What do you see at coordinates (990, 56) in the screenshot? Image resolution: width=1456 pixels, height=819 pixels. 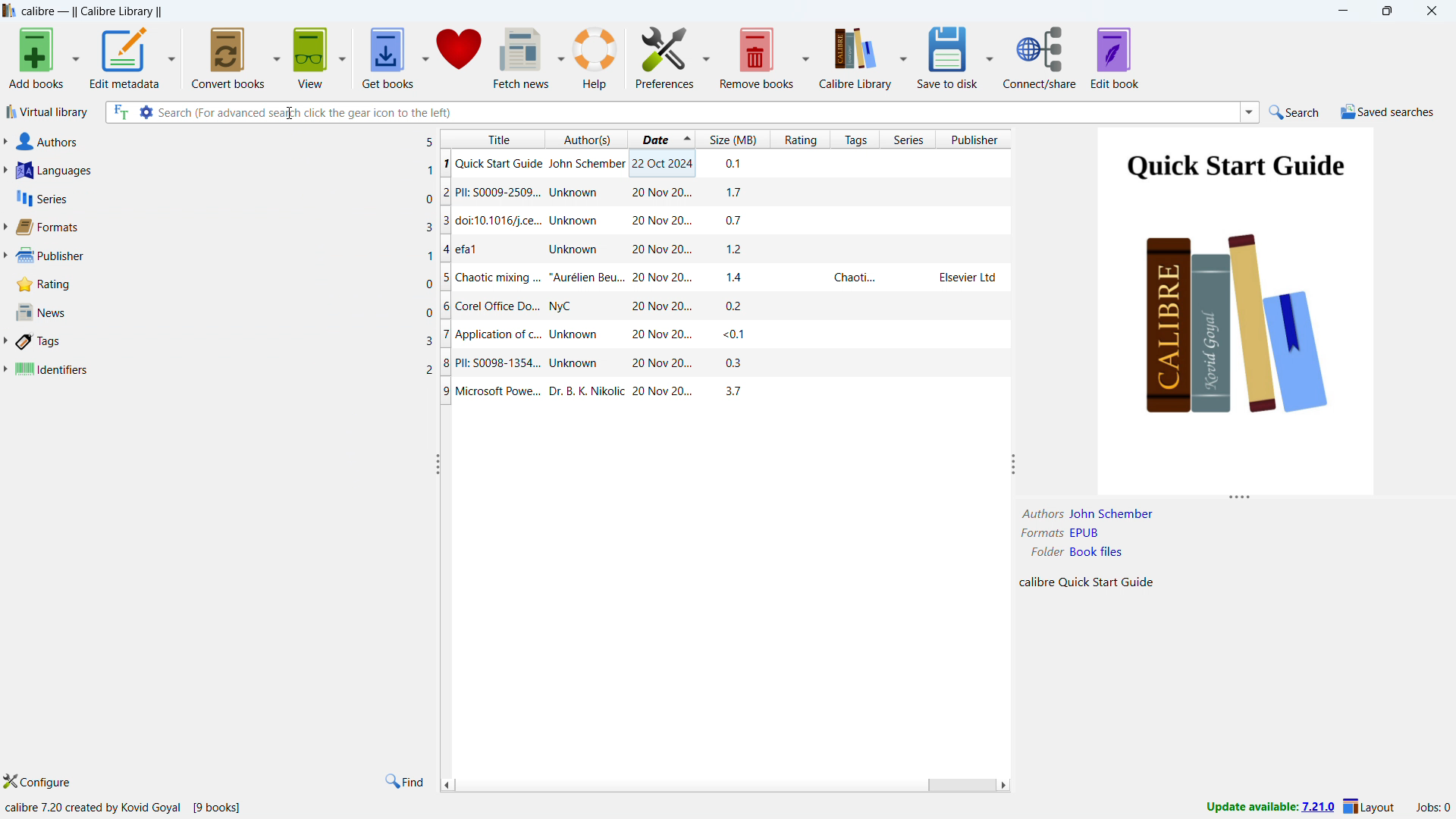 I see `save to disk options` at bounding box center [990, 56].